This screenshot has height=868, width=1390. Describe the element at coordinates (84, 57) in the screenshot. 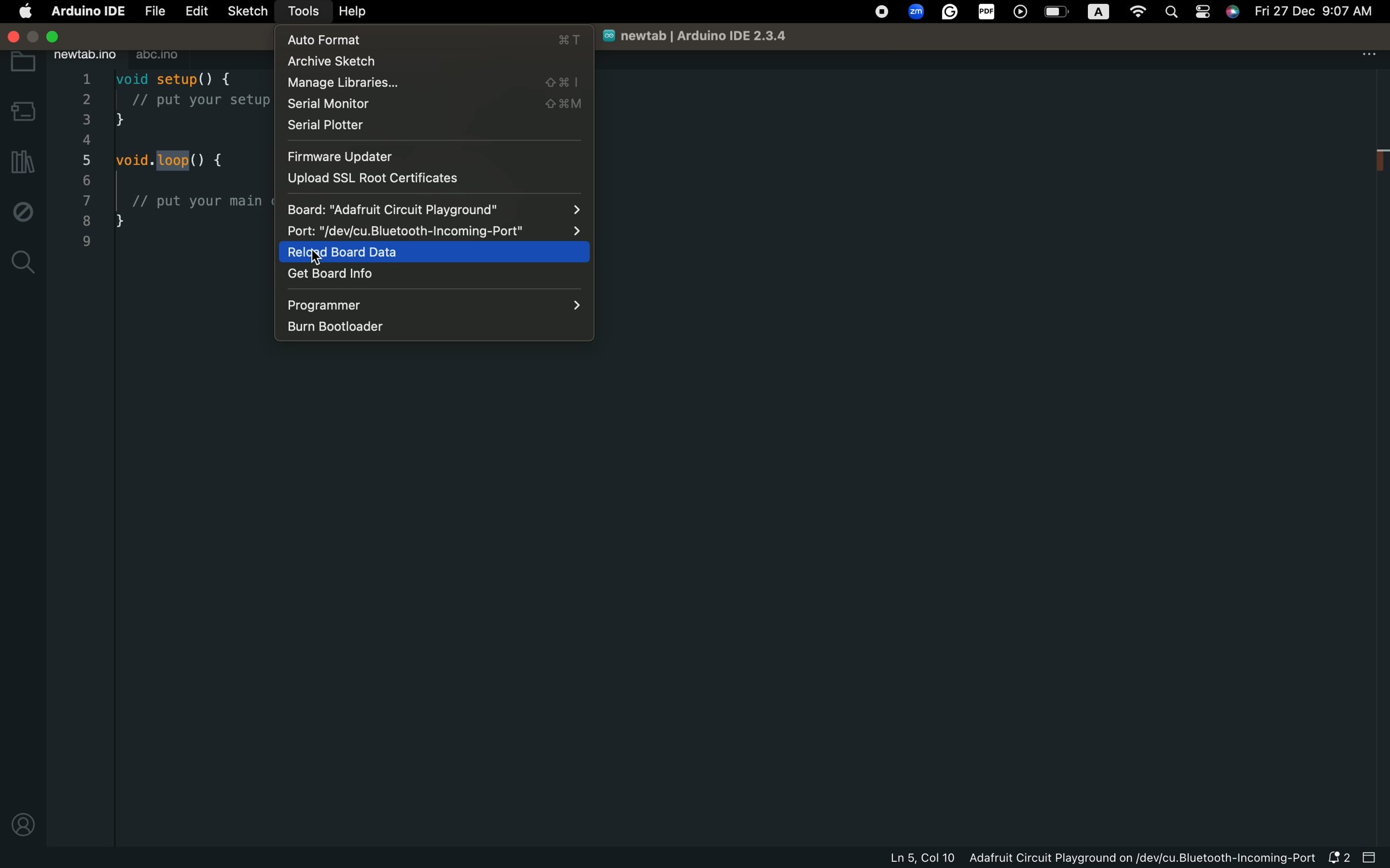

I see `newtab.ino` at that location.